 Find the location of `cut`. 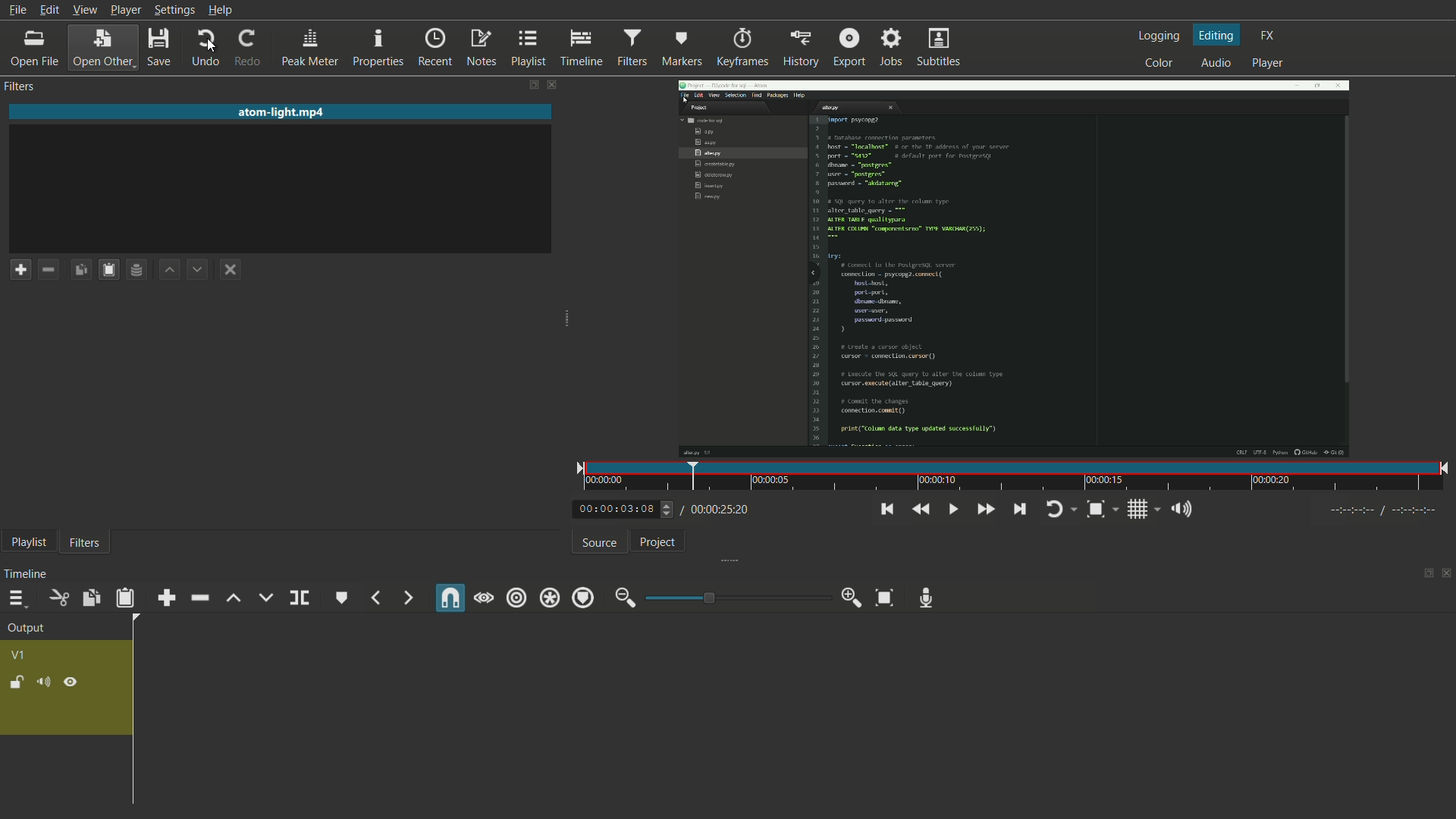

cut is located at coordinates (60, 598).